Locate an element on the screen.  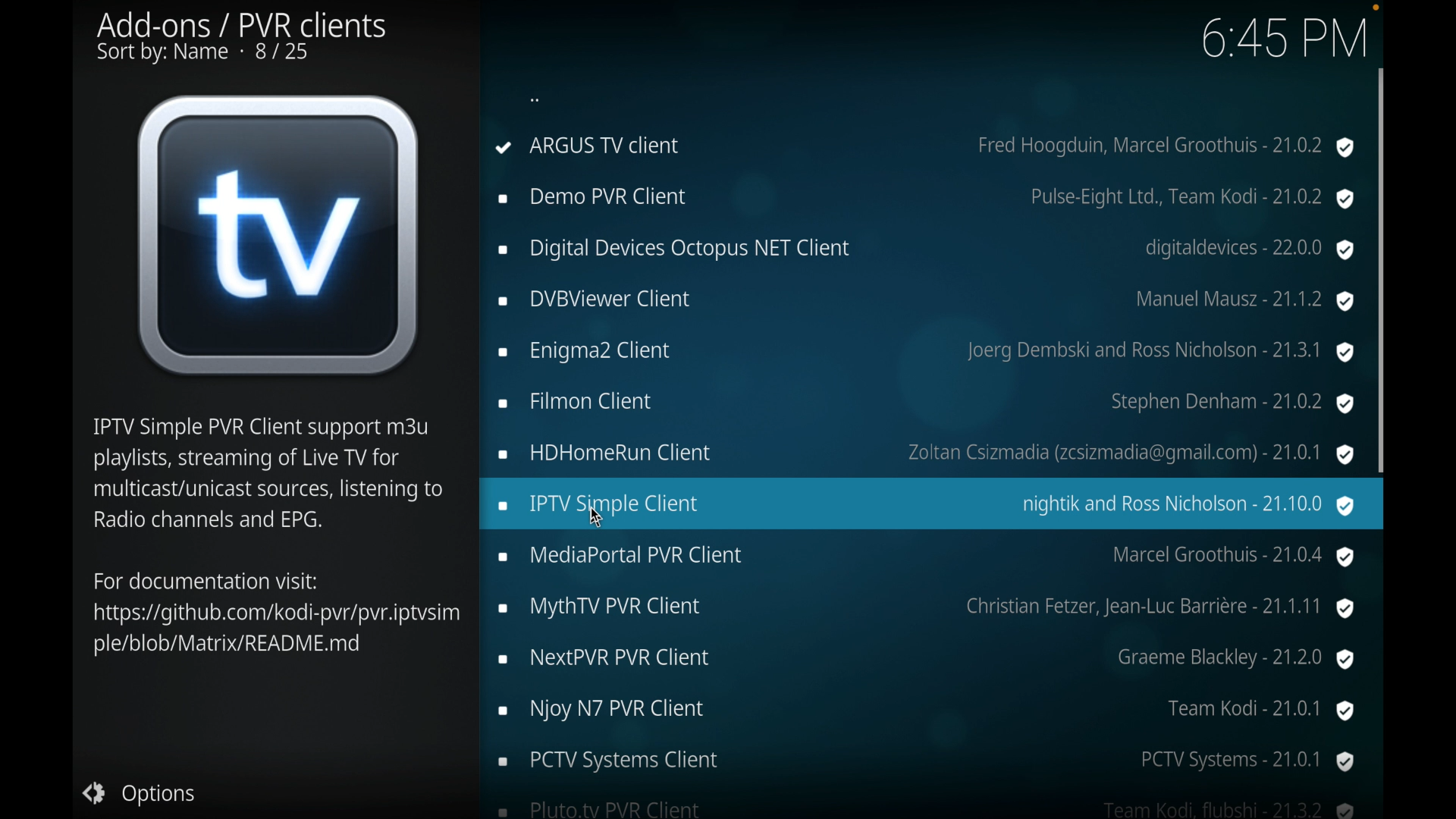
mediaportal PVR client is located at coordinates (927, 556).